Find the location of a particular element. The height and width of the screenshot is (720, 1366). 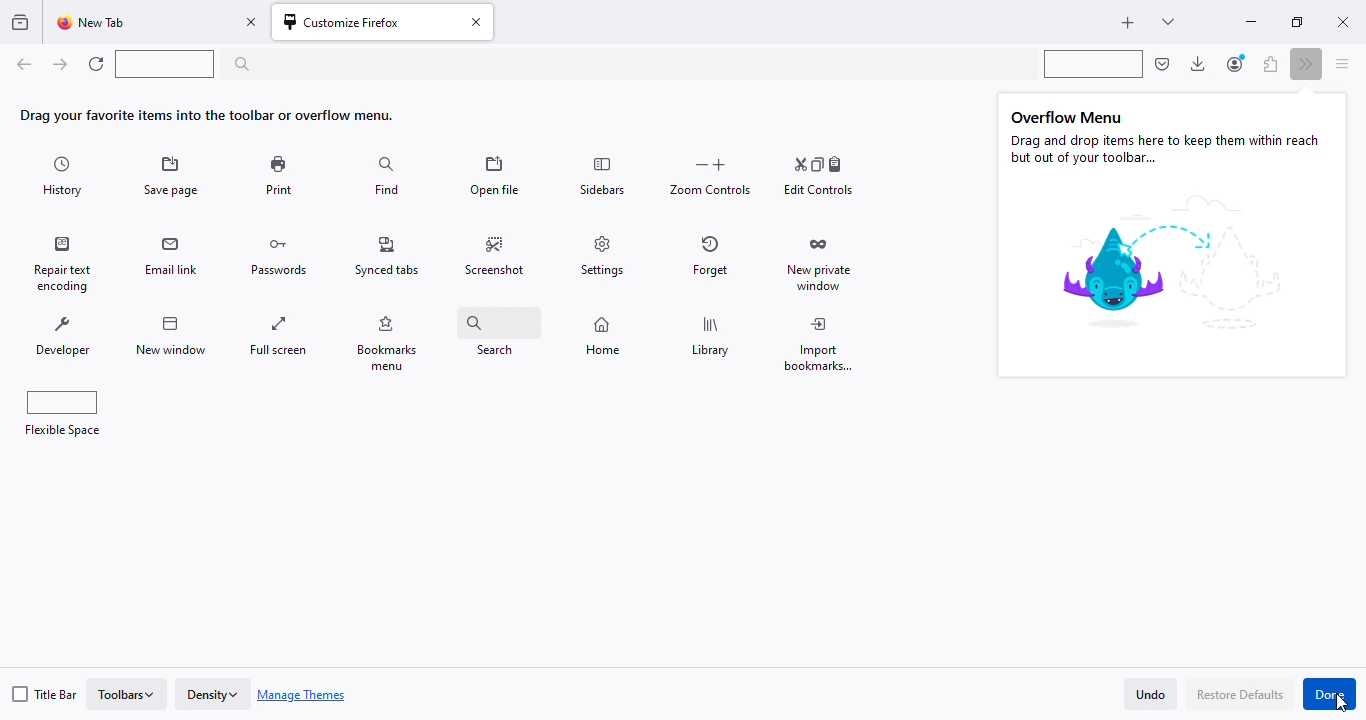

zoom controls is located at coordinates (709, 176).